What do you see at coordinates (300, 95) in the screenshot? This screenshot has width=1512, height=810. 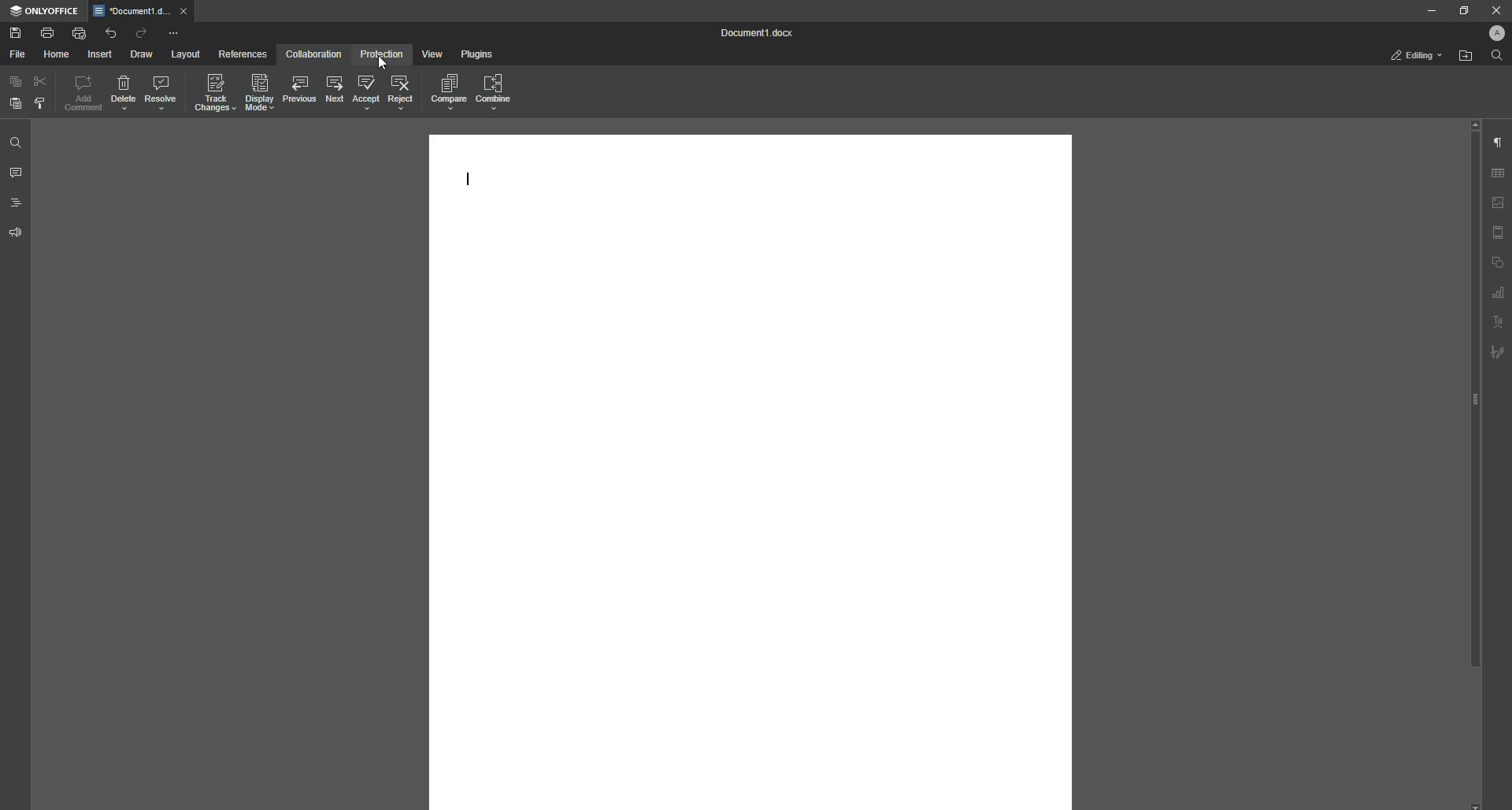 I see `Previous` at bounding box center [300, 95].